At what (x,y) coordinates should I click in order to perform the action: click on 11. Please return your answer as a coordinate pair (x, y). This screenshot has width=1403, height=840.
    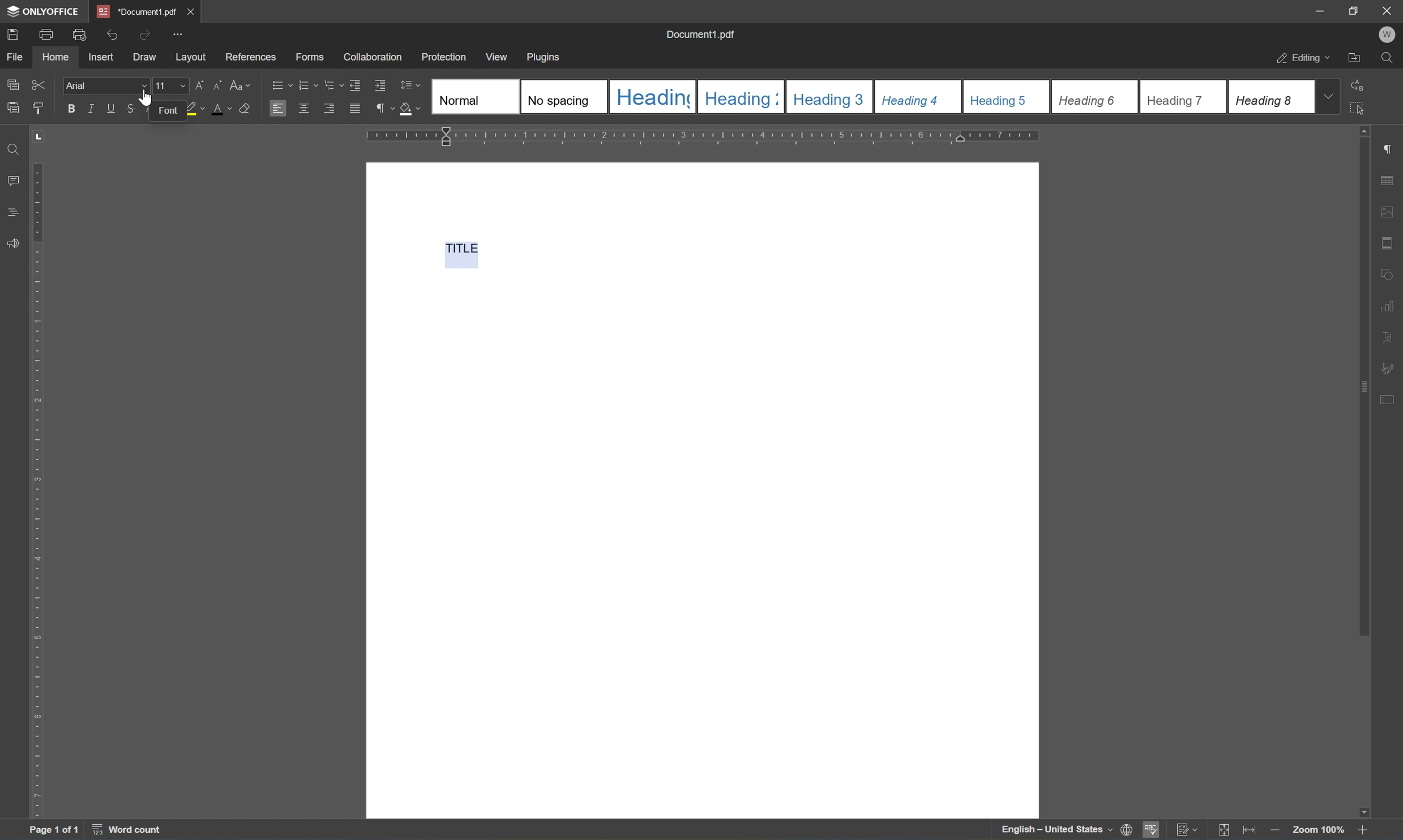
    Looking at the image, I should click on (169, 85).